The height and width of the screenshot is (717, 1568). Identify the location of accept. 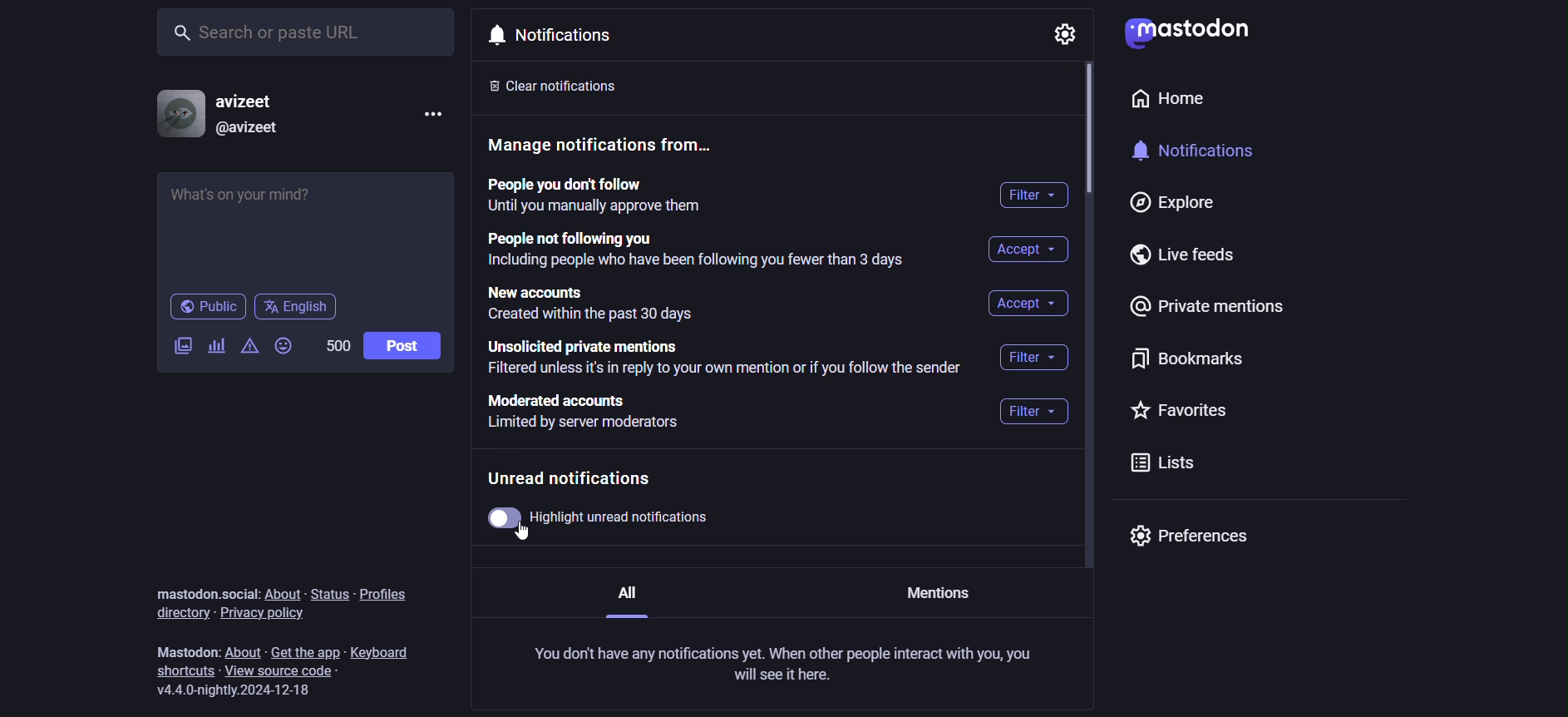
(1028, 250).